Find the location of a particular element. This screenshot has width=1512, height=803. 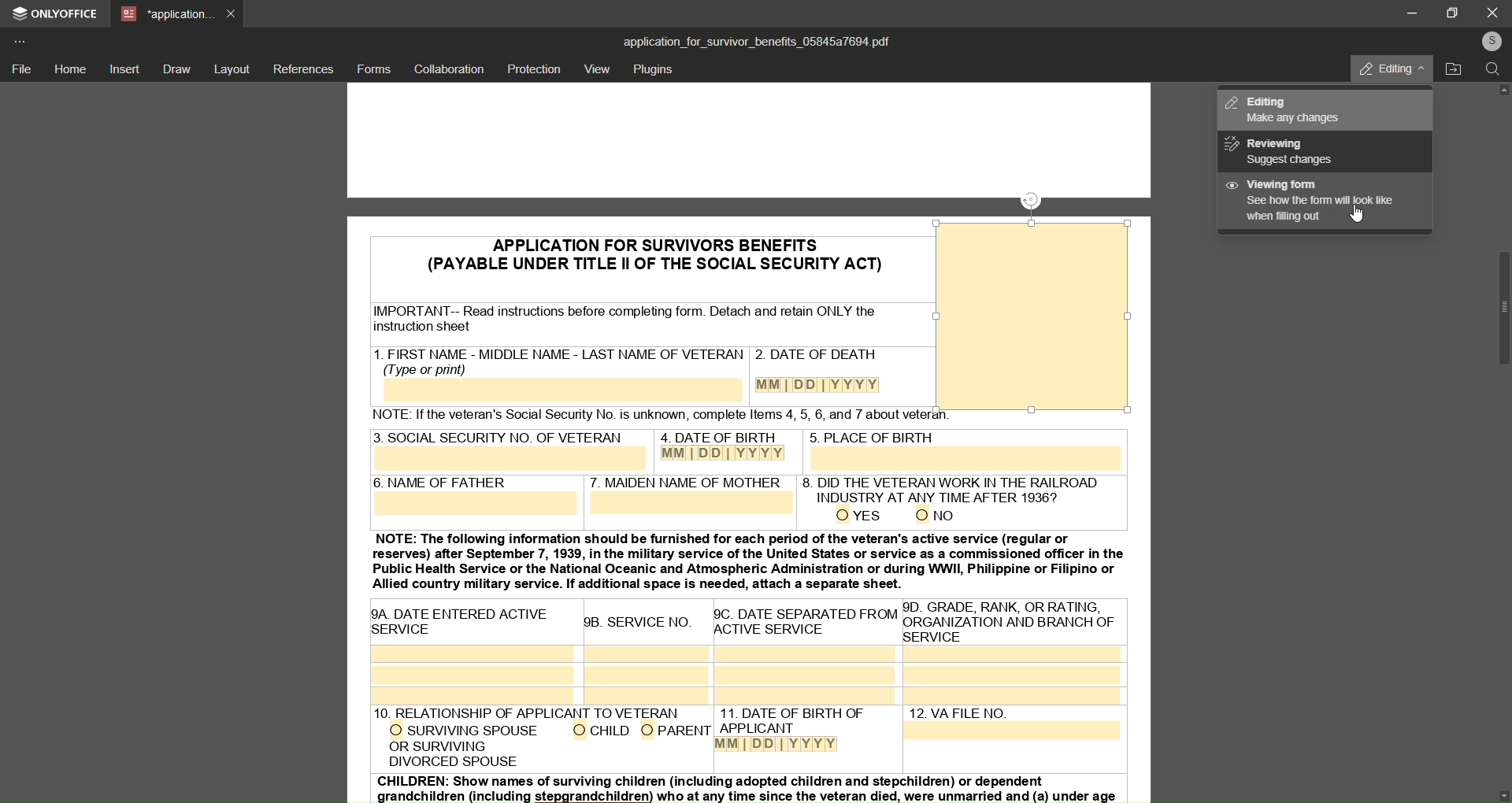

onlyoffice is located at coordinates (57, 16).